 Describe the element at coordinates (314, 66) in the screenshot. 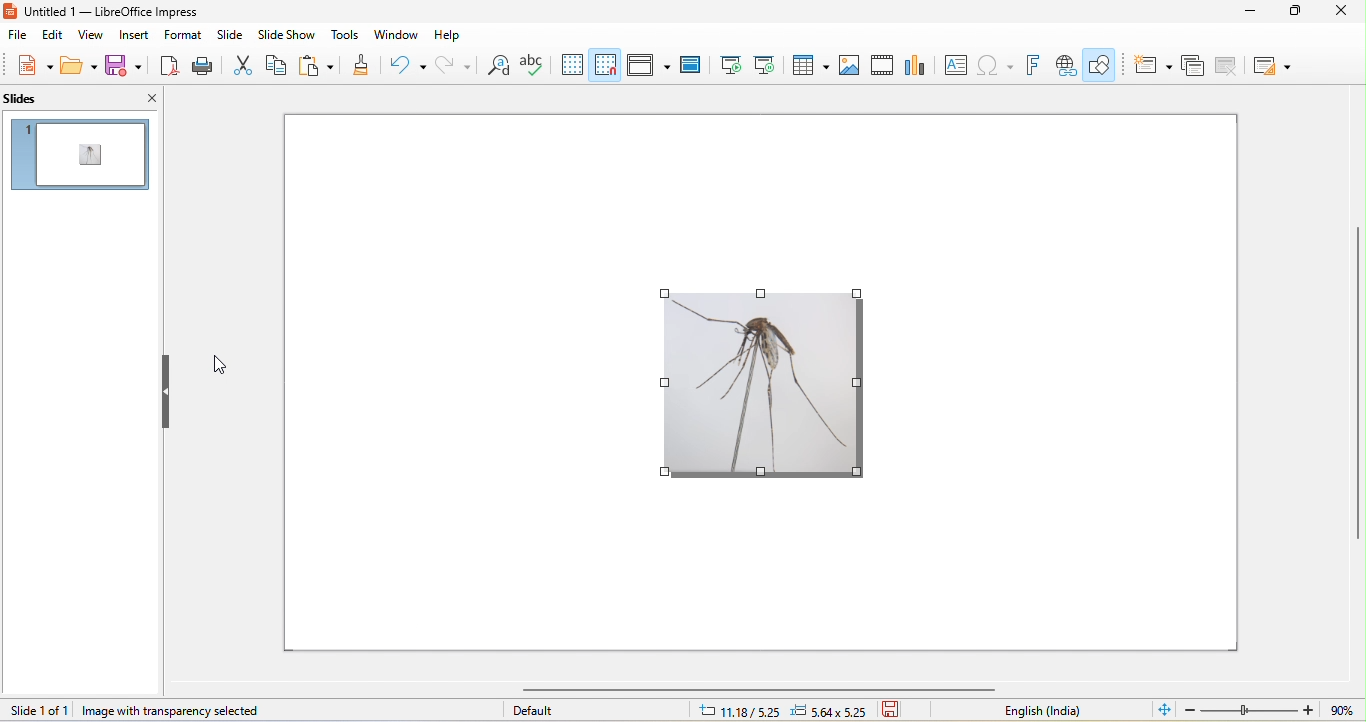

I see `Clipboard` at that location.